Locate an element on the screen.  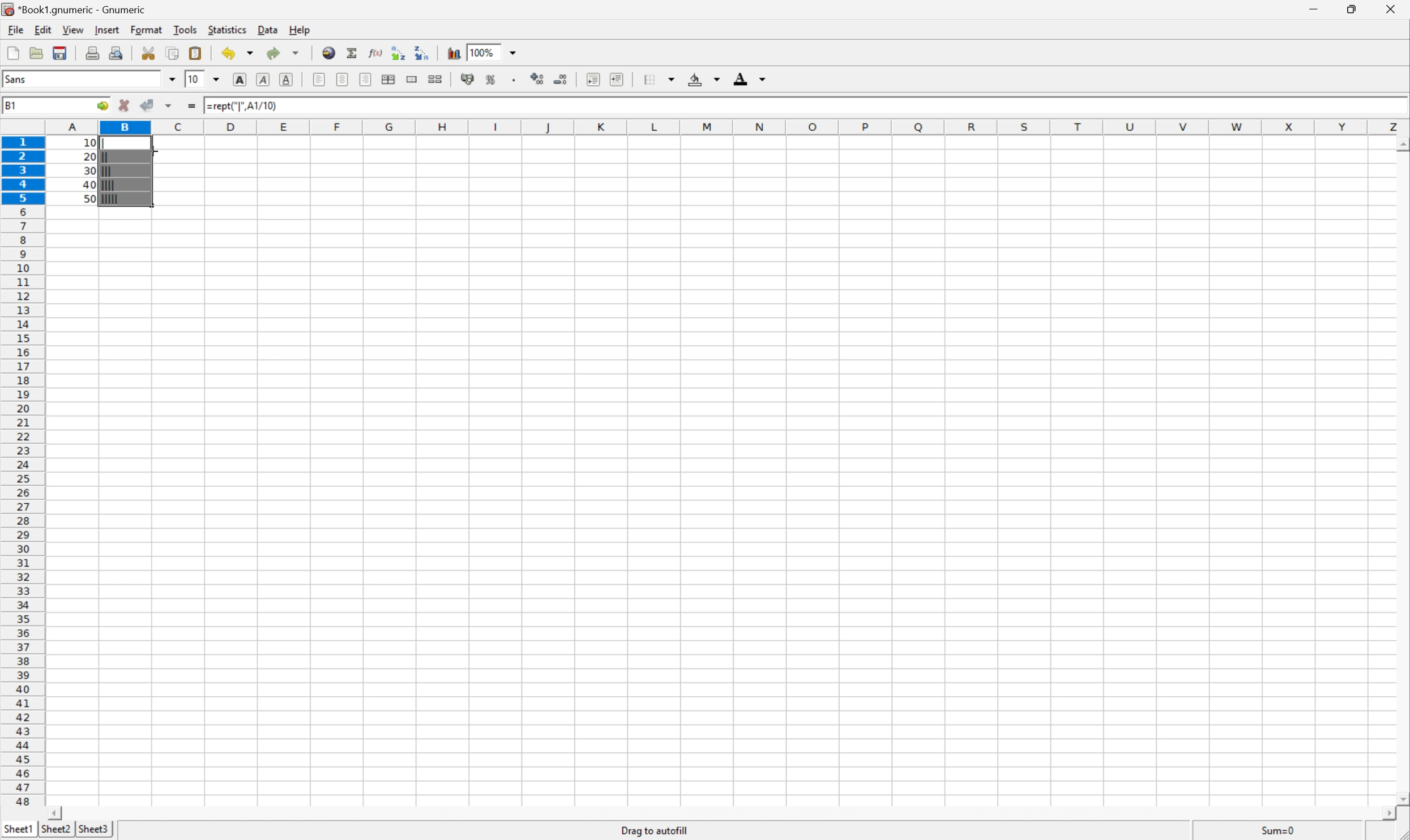
Sort the selected region in ascending order based on the first column selected is located at coordinates (399, 52).